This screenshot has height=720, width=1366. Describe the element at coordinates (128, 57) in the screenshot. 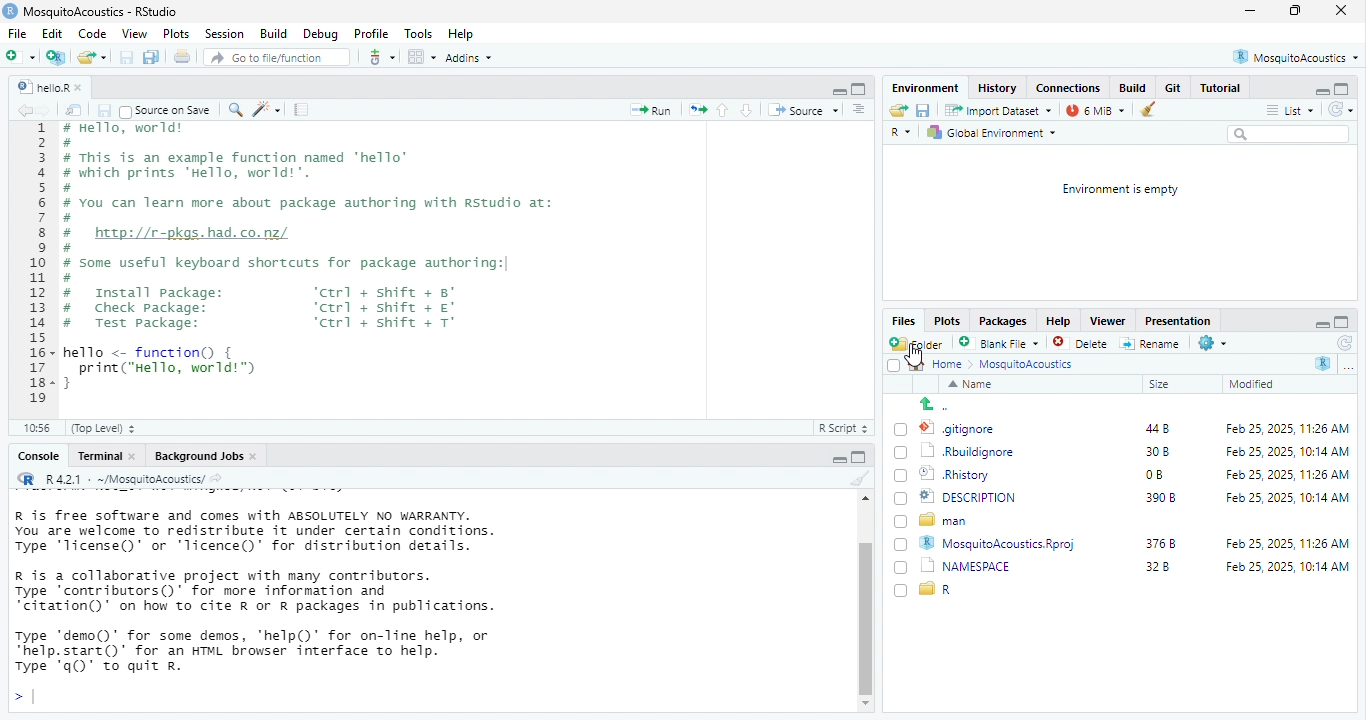

I see `save current document` at that location.